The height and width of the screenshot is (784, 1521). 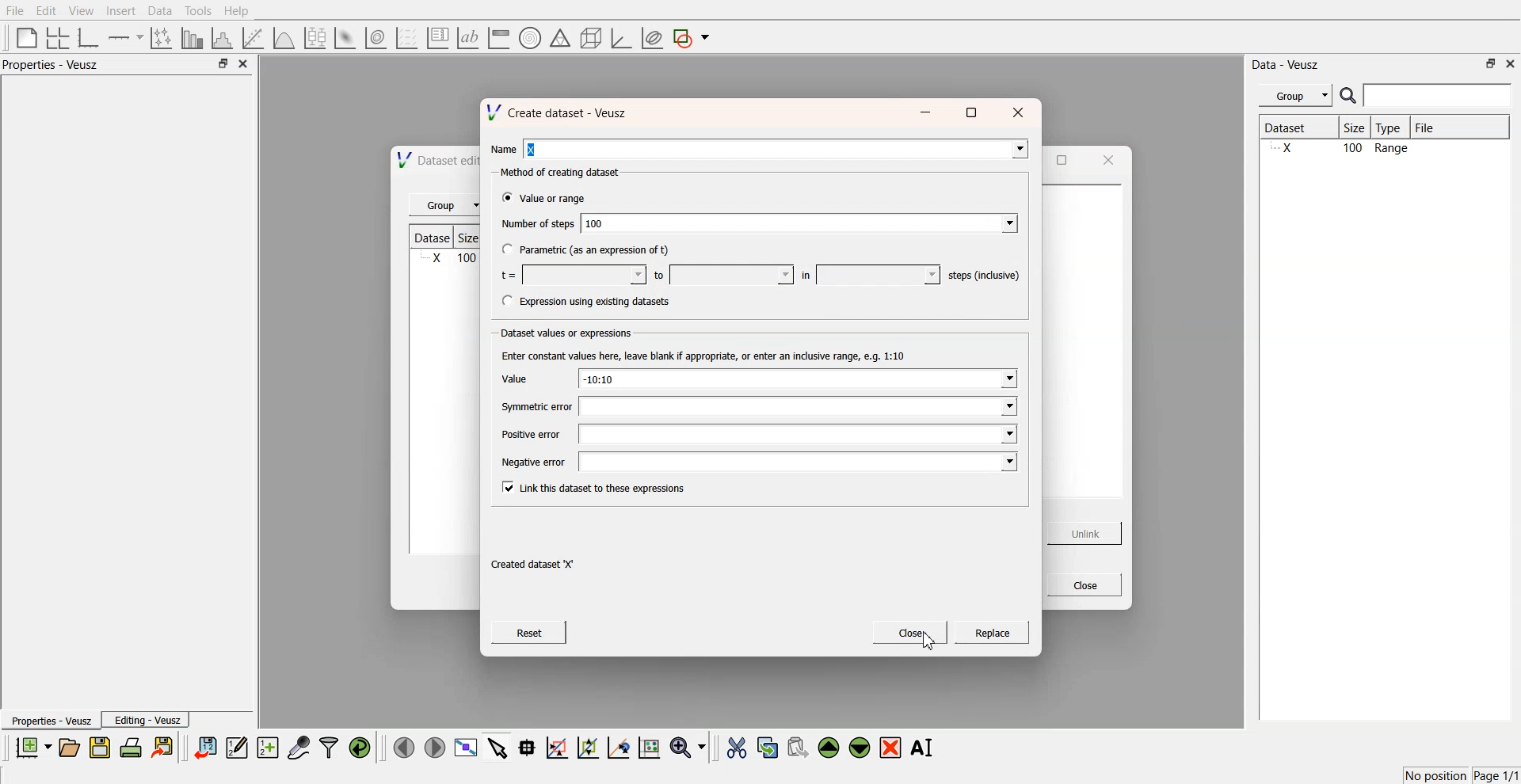 What do you see at coordinates (806, 275) in the screenshot?
I see `in` at bounding box center [806, 275].